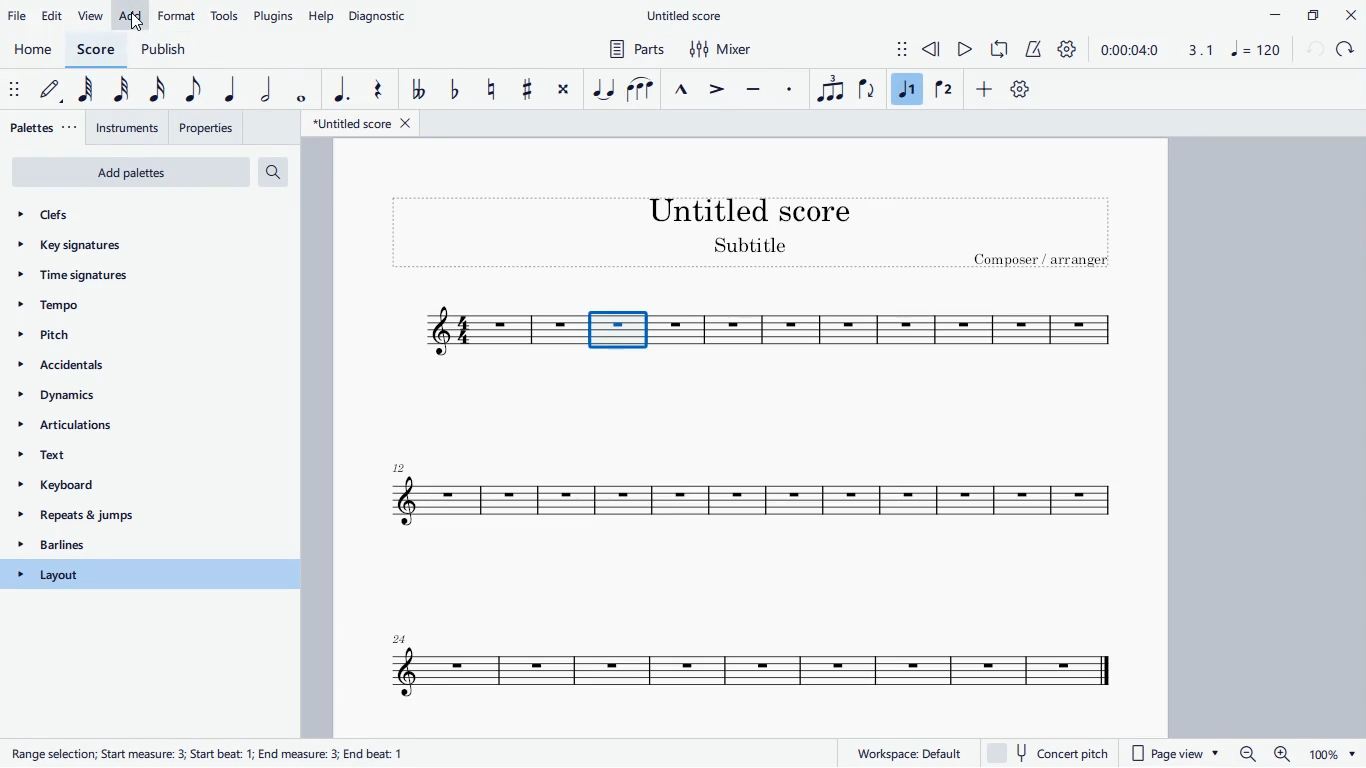 This screenshot has width=1366, height=768. I want to click on mixer, so click(723, 50).